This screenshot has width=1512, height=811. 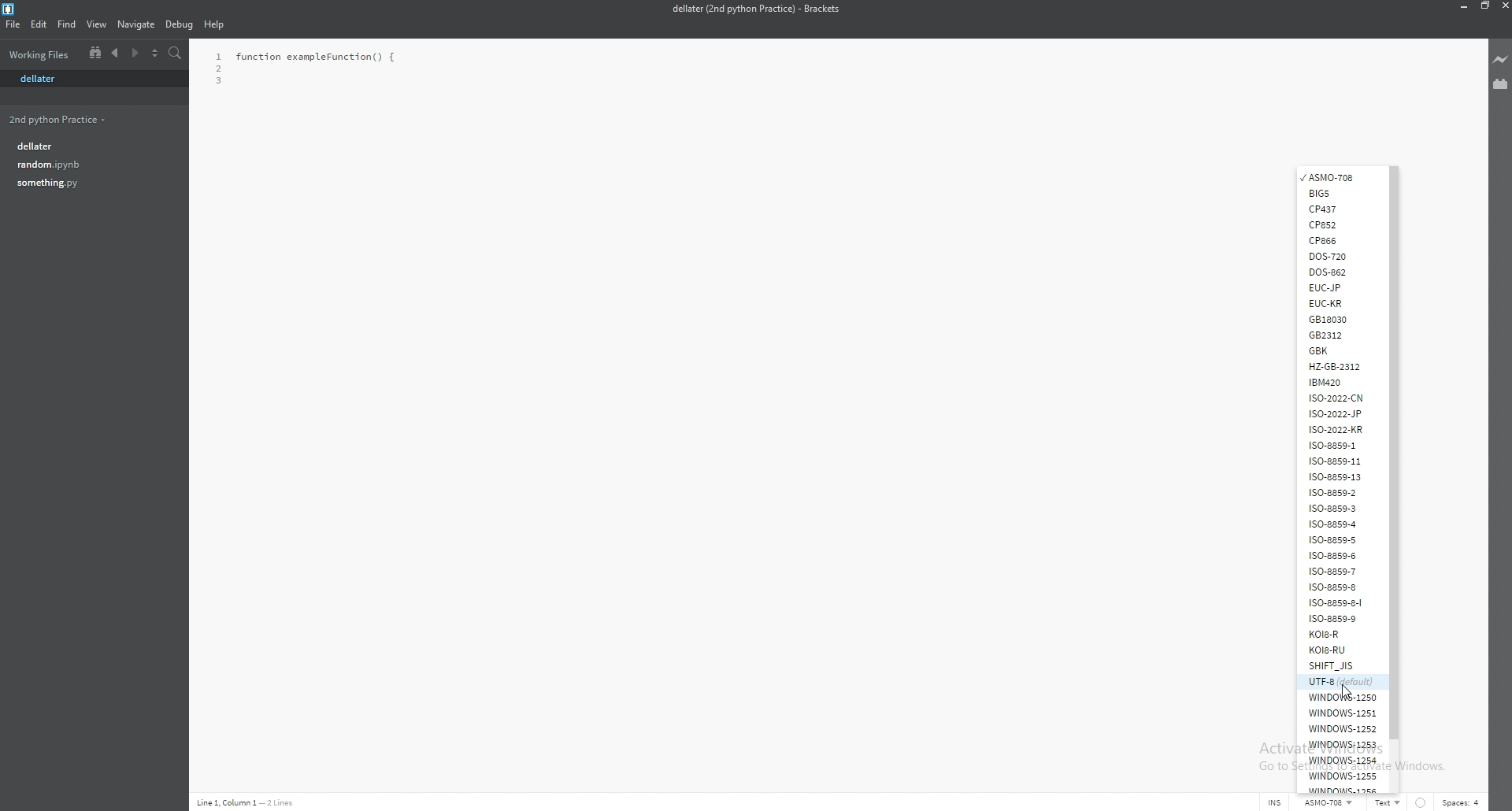 I want to click on live preview, so click(x=1499, y=60).